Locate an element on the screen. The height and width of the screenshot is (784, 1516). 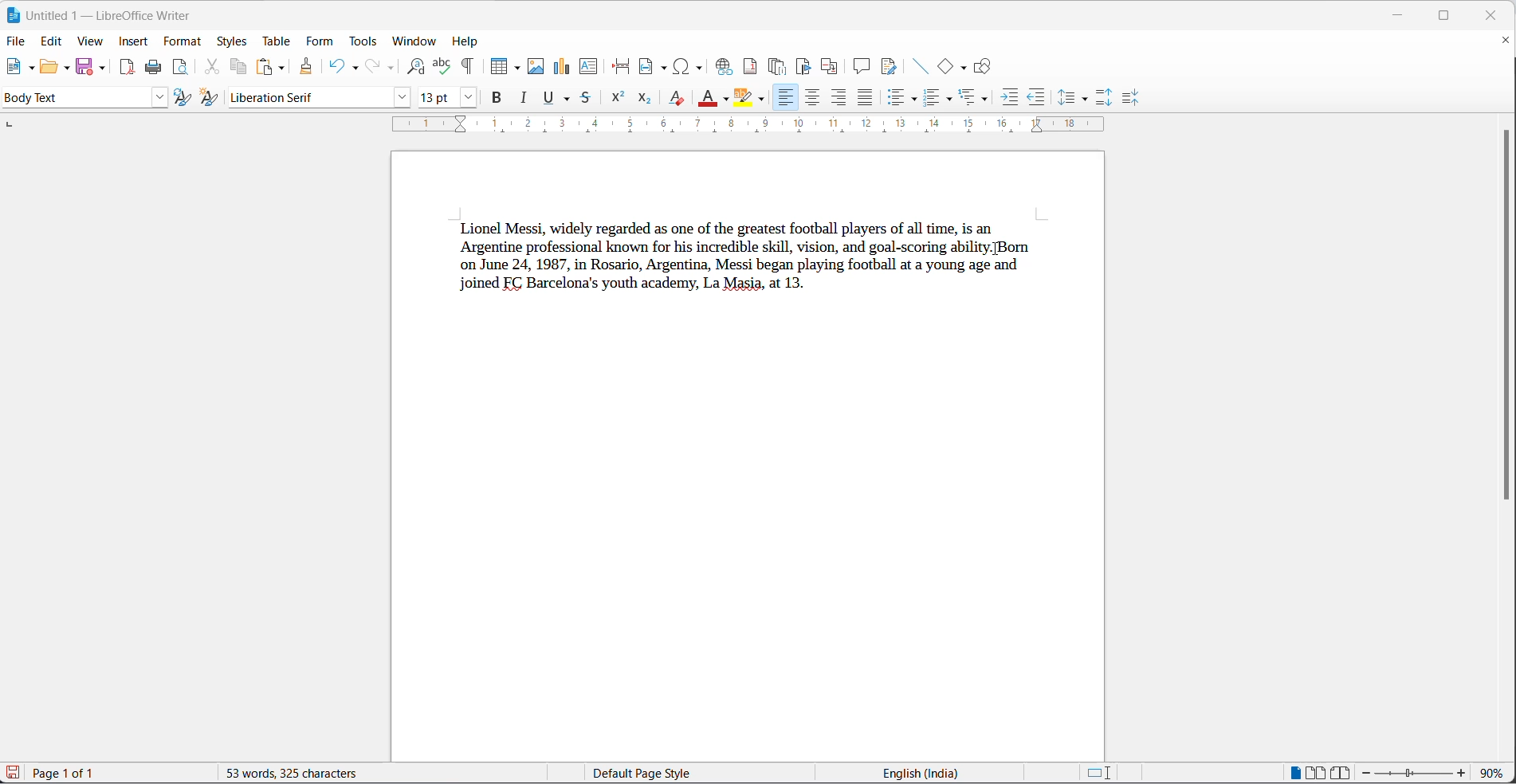
help is located at coordinates (467, 41).